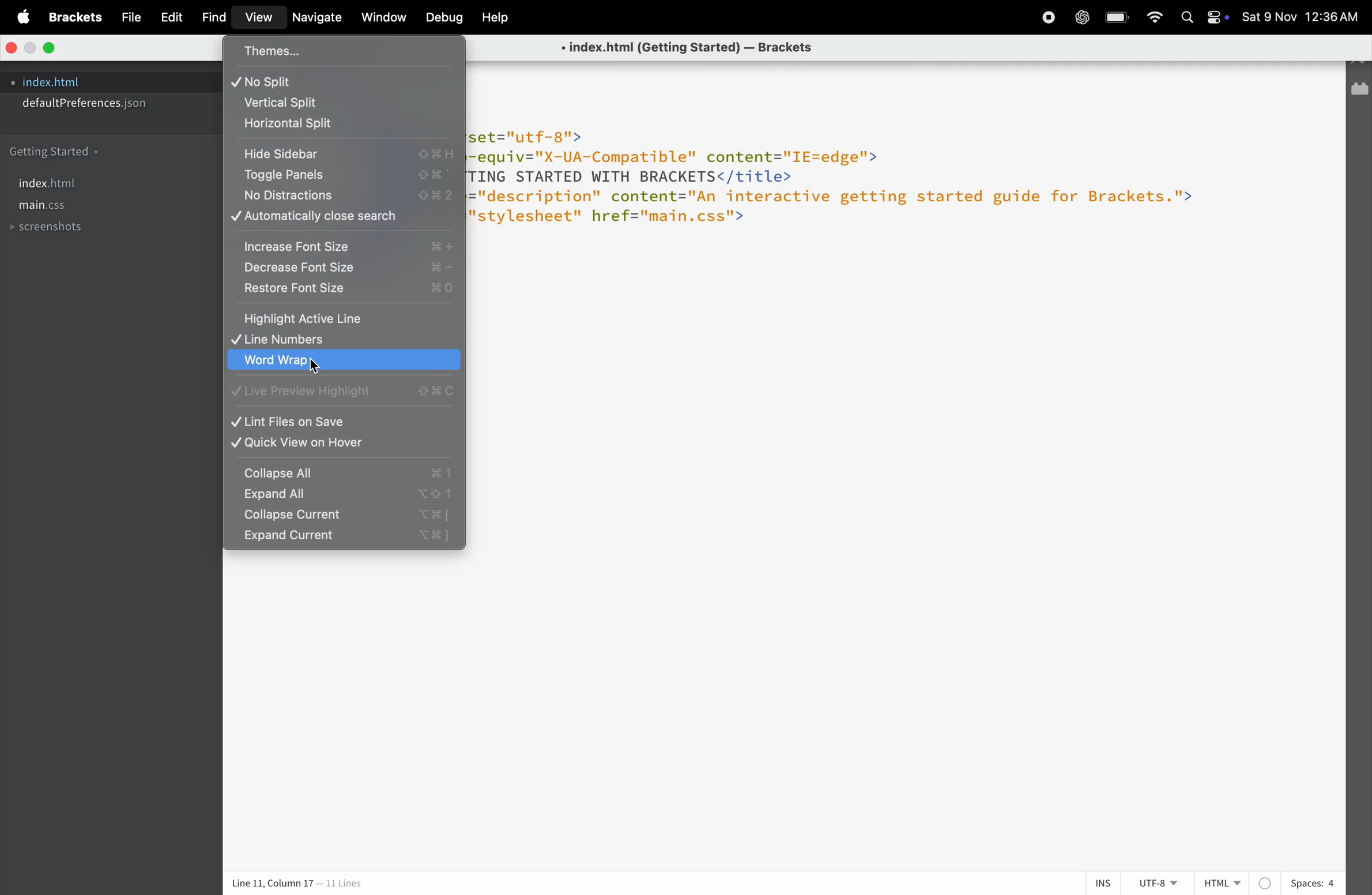 The width and height of the screenshot is (1372, 895). I want to click on collapse current, so click(341, 516).